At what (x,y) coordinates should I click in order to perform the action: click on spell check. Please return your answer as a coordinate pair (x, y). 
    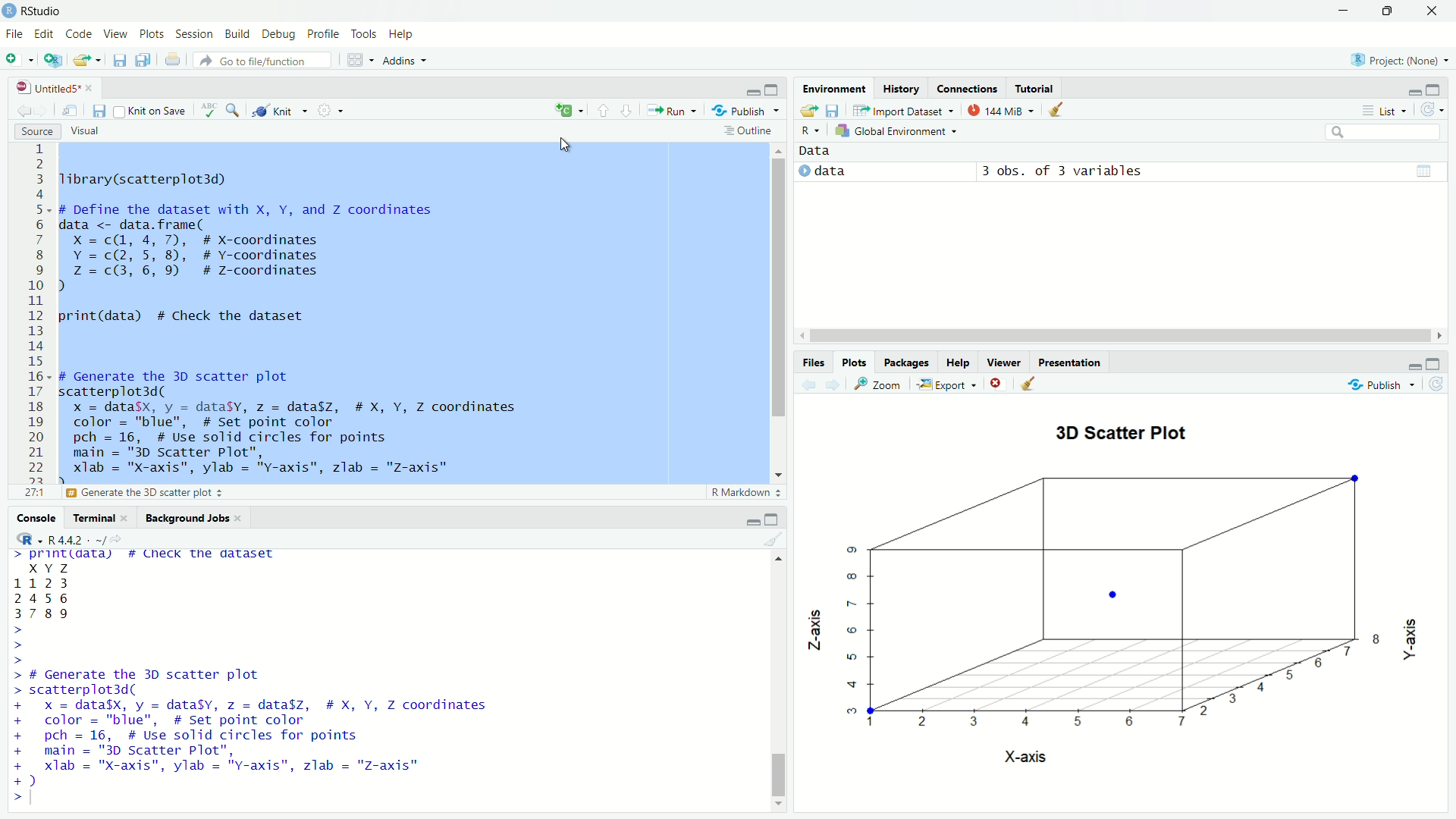
    Looking at the image, I should click on (208, 111).